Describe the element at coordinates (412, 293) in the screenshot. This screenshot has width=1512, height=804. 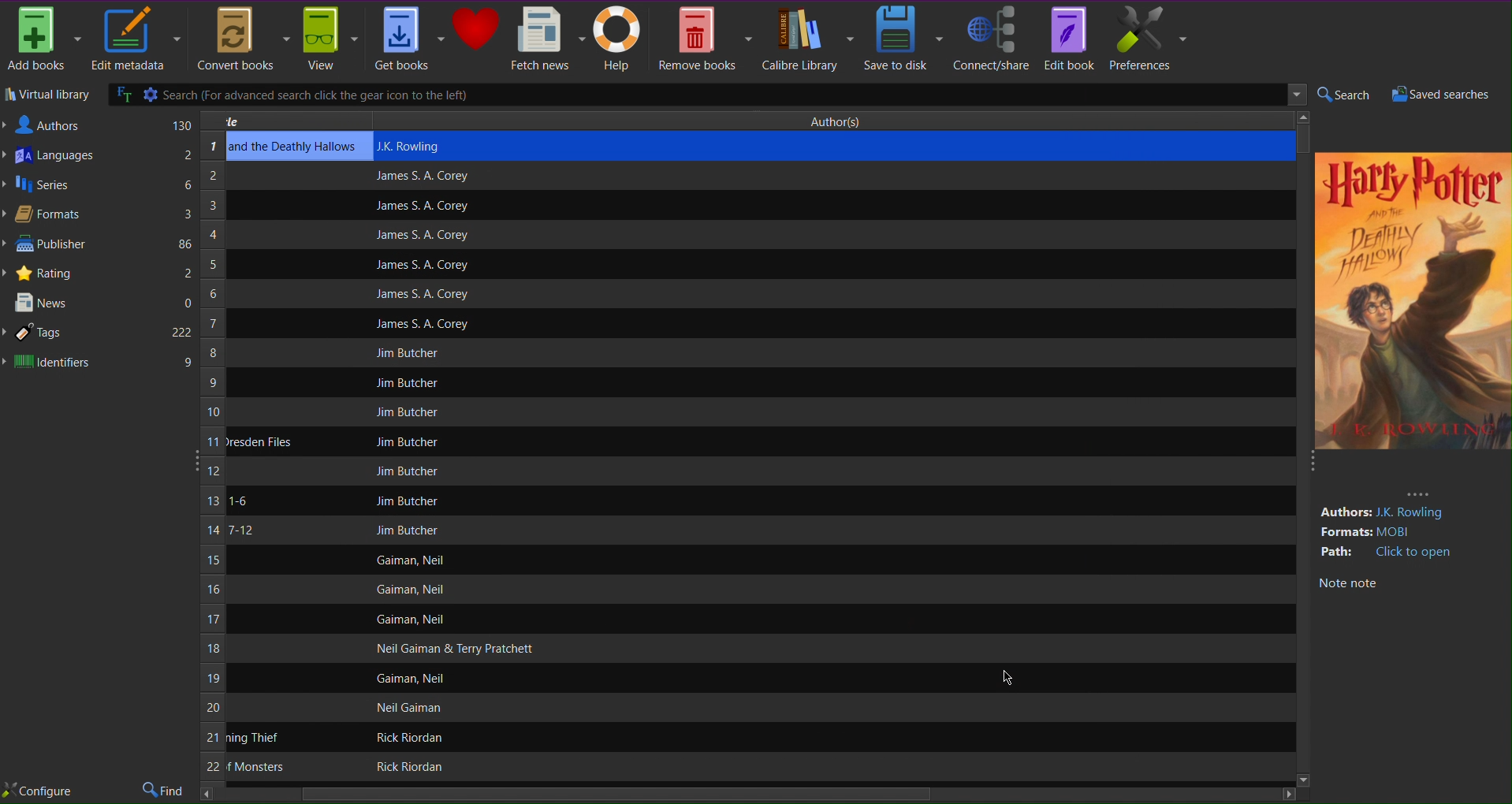
I see `James 5. A. Corey` at that location.